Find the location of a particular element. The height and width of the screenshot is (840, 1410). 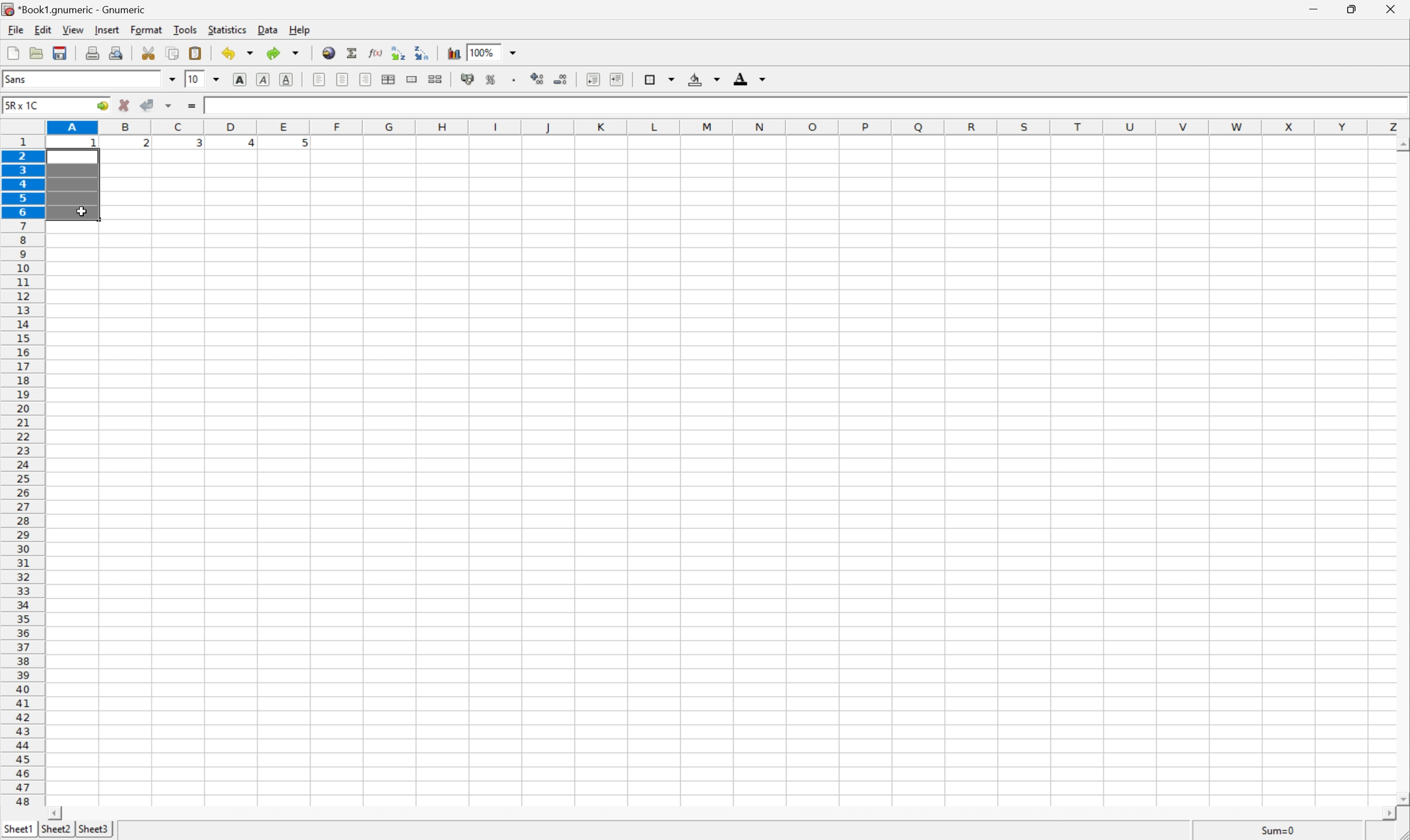

redo is located at coordinates (285, 53).